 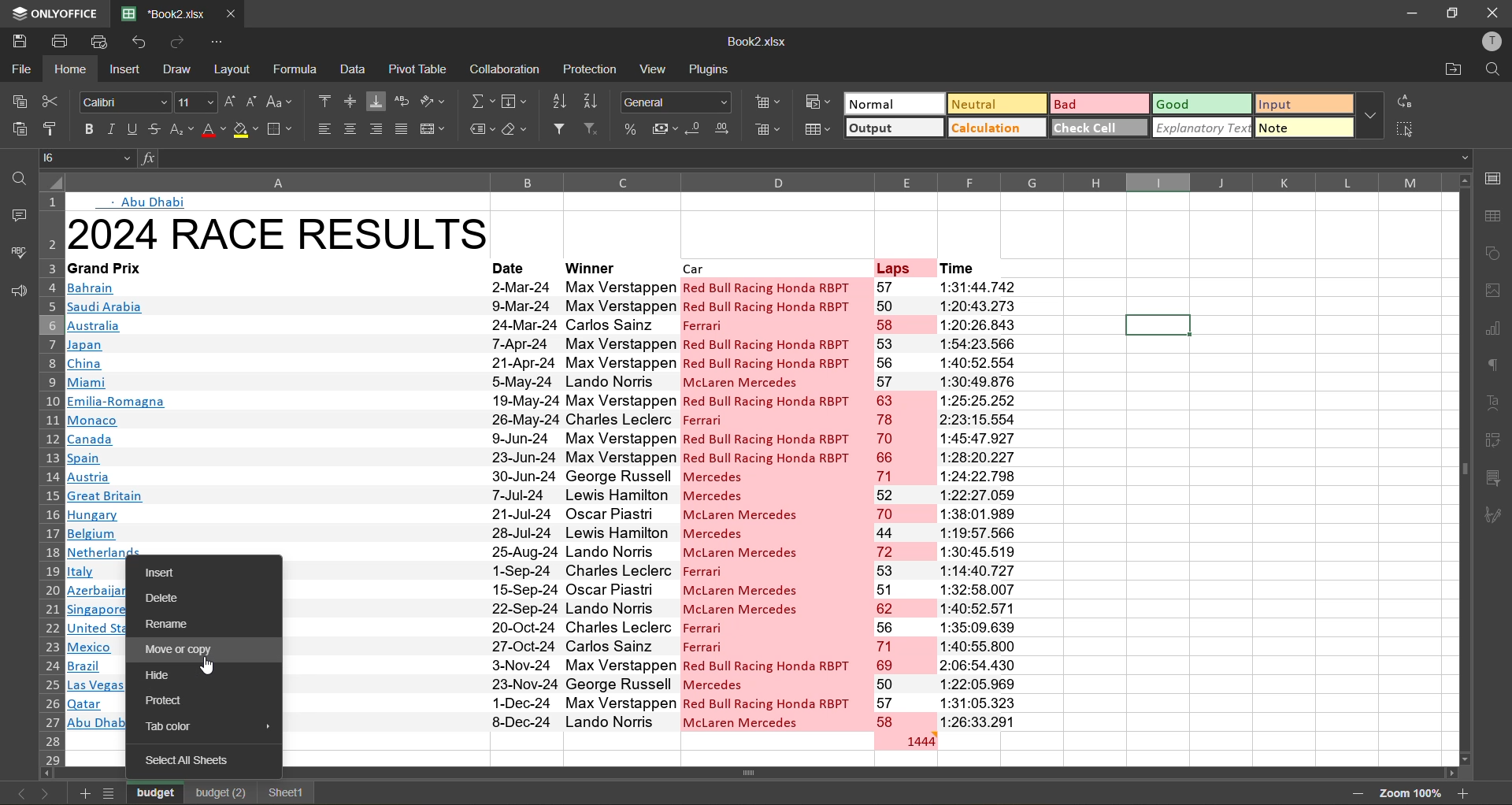 I want to click on text, so click(x=147, y=202).